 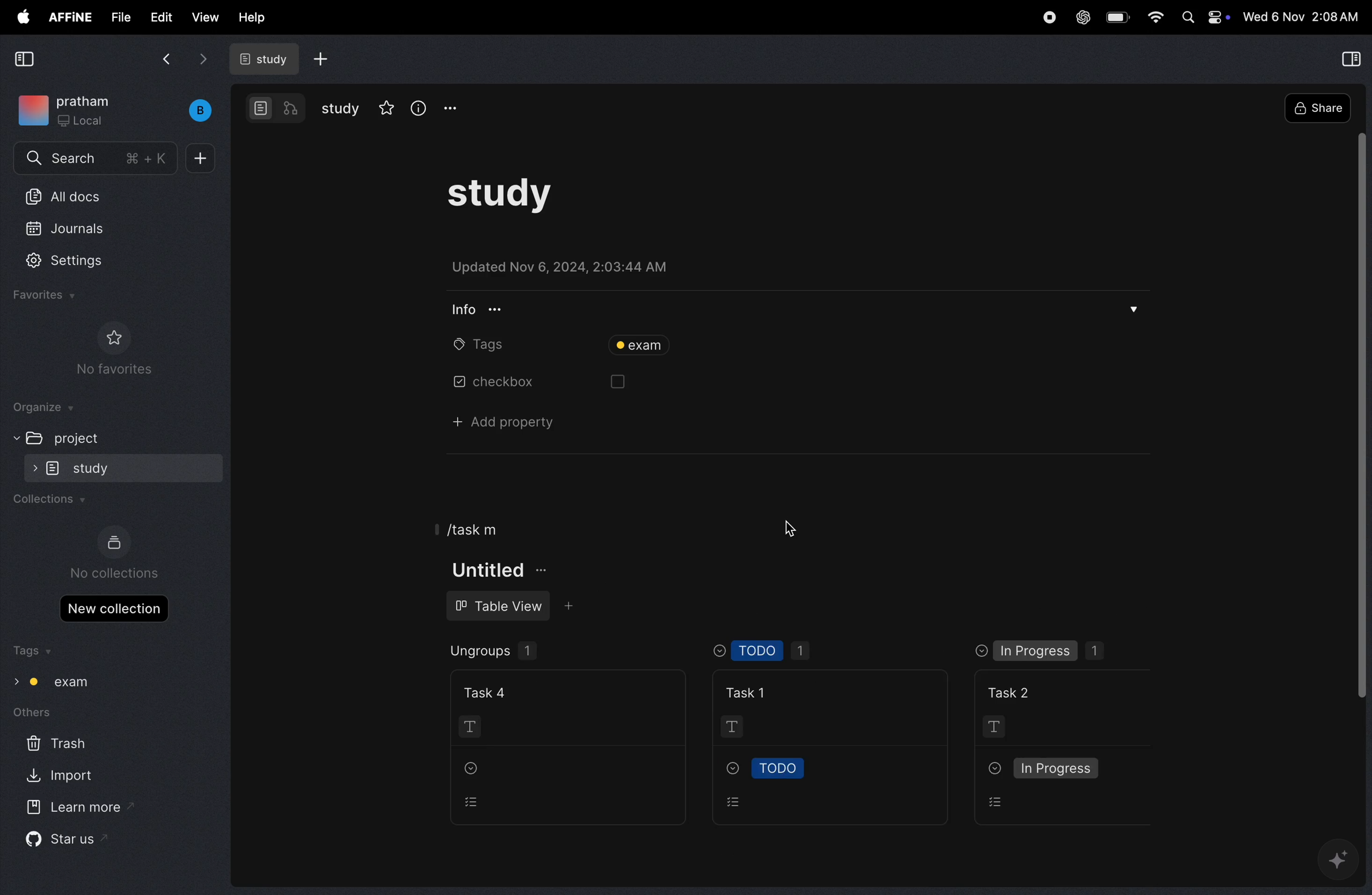 What do you see at coordinates (200, 59) in the screenshot?
I see `forward` at bounding box center [200, 59].